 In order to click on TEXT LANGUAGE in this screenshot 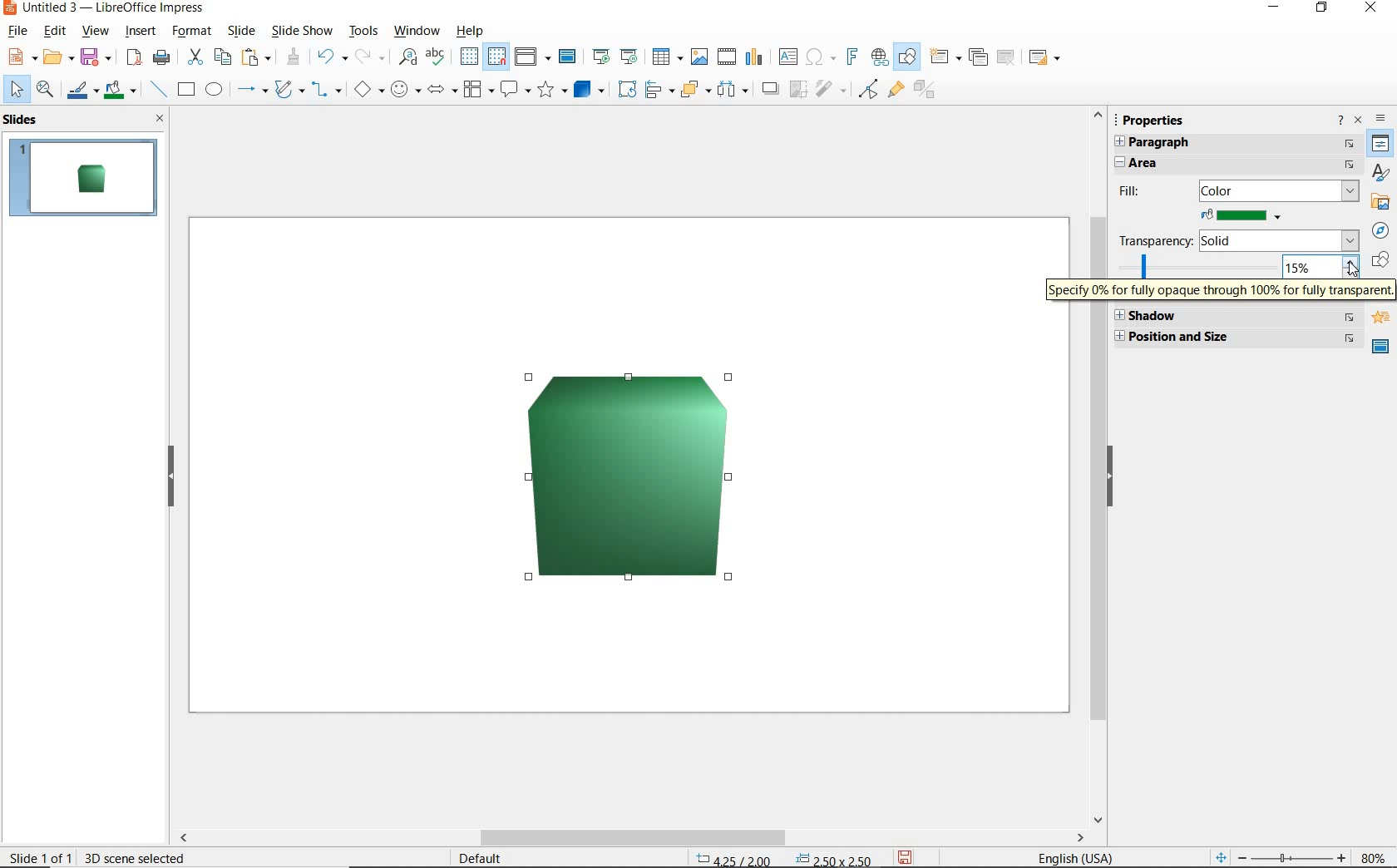, I will do `click(1078, 856)`.